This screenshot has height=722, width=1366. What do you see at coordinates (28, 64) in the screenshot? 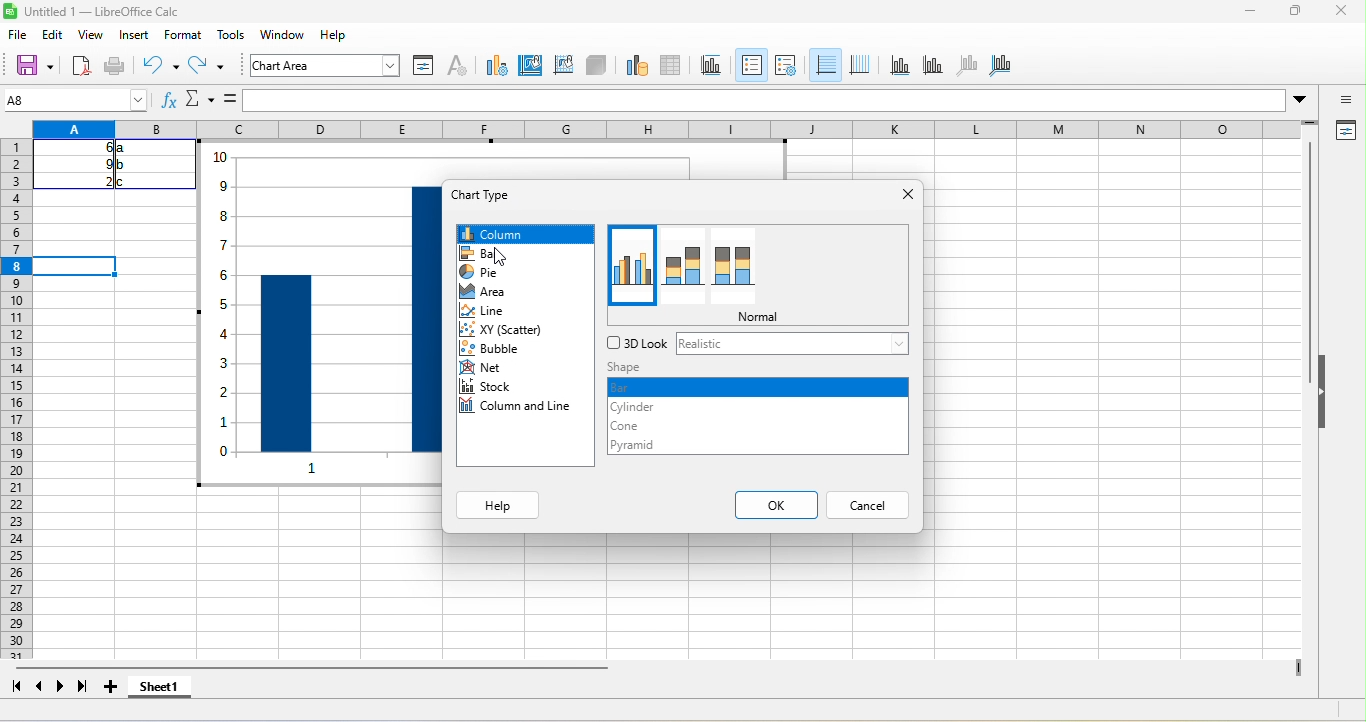
I see `new` at bounding box center [28, 64].